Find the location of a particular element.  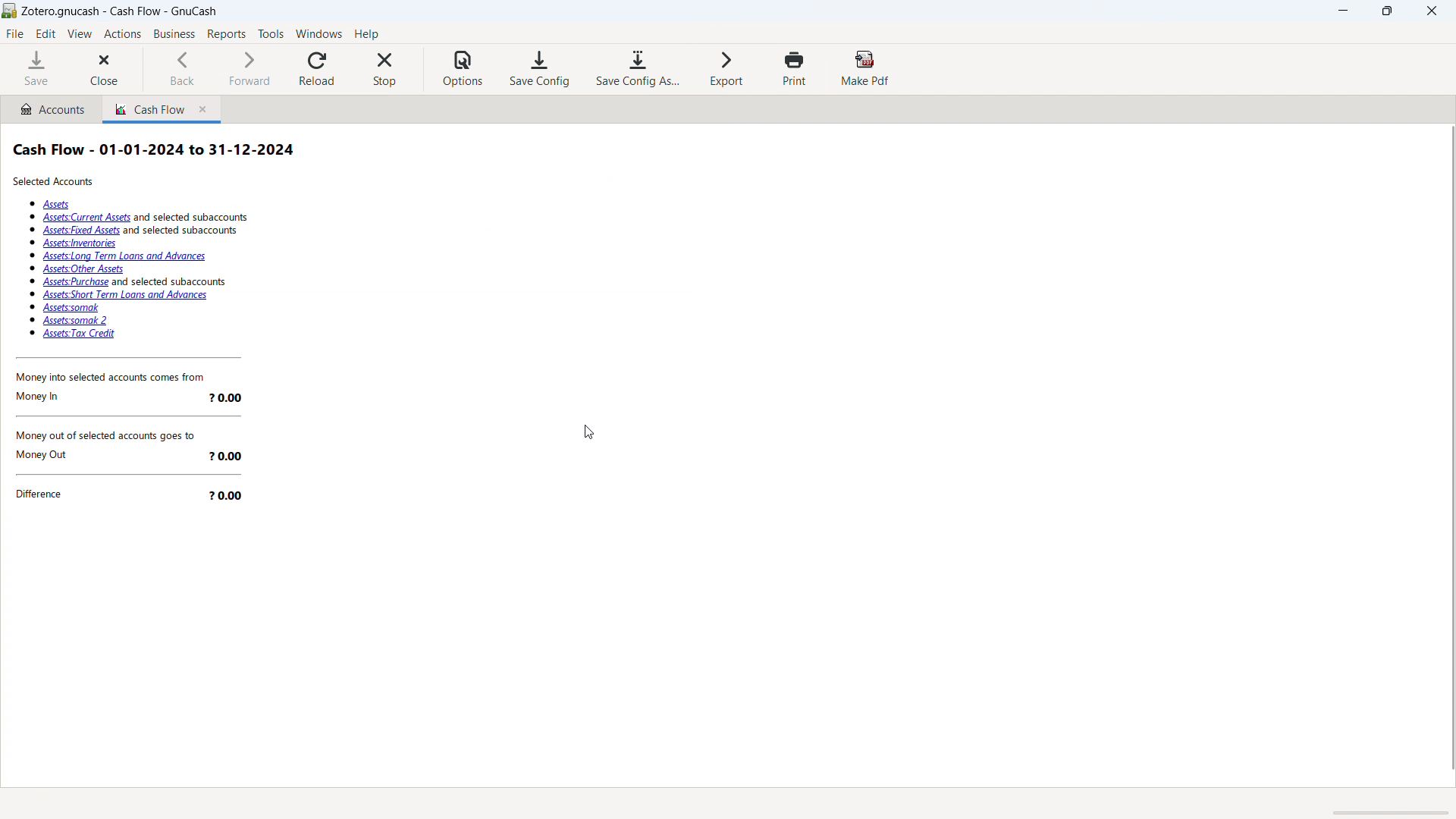

save is located at coordinates (38, 70).